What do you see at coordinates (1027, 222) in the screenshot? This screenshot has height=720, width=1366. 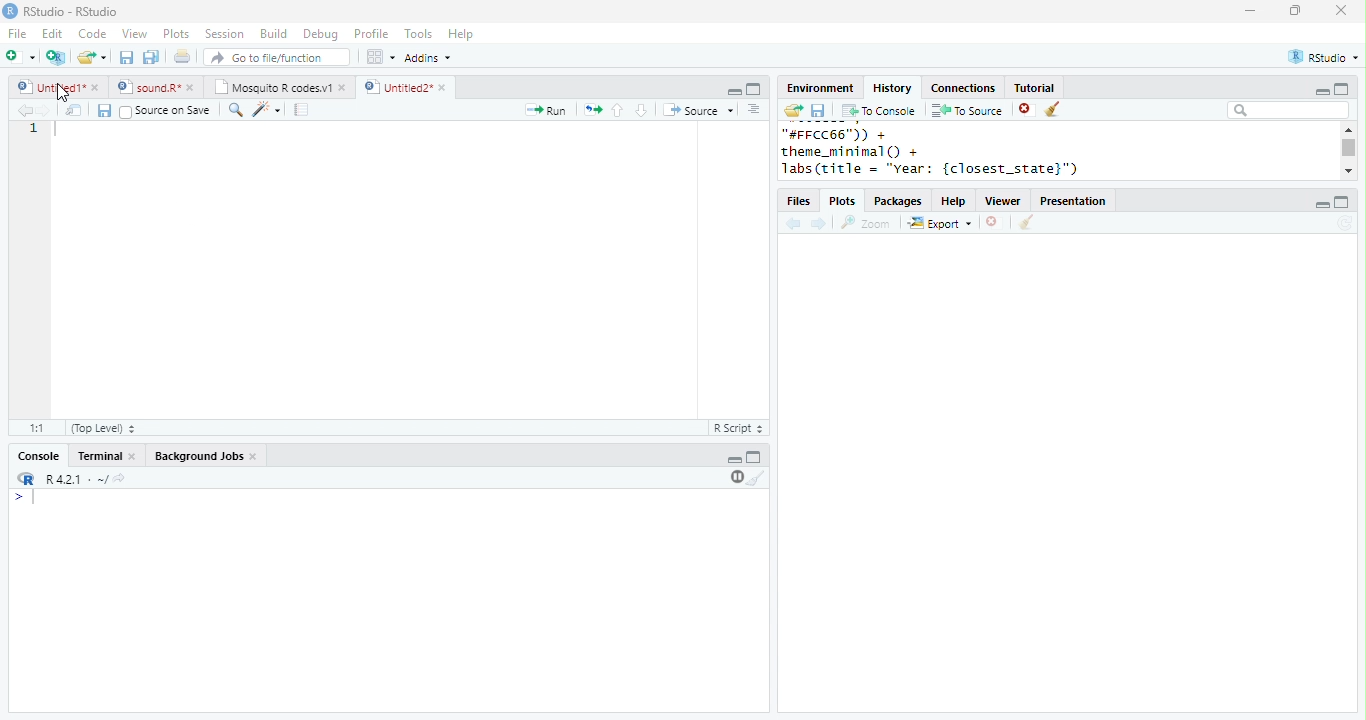 I see `clear` at bounding box center [1027, 222].